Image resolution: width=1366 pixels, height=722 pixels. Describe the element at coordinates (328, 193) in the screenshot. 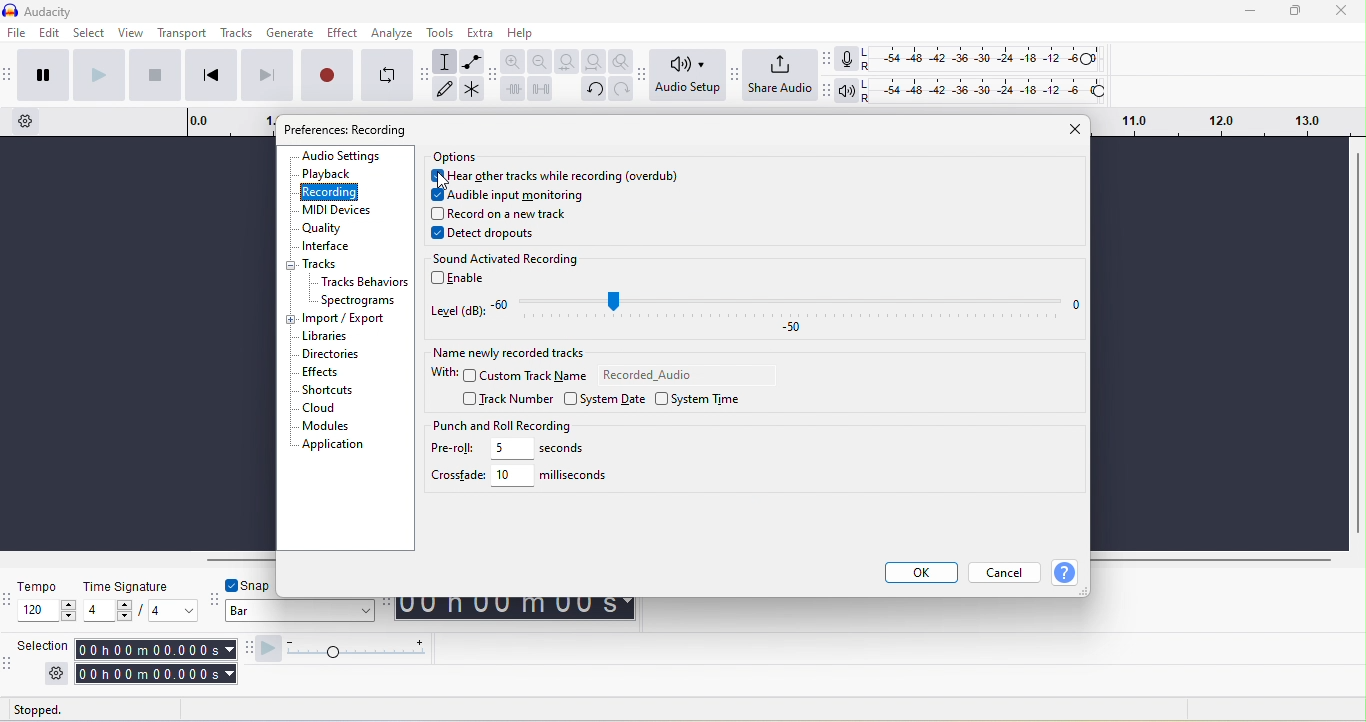

I see `recording` at that location.